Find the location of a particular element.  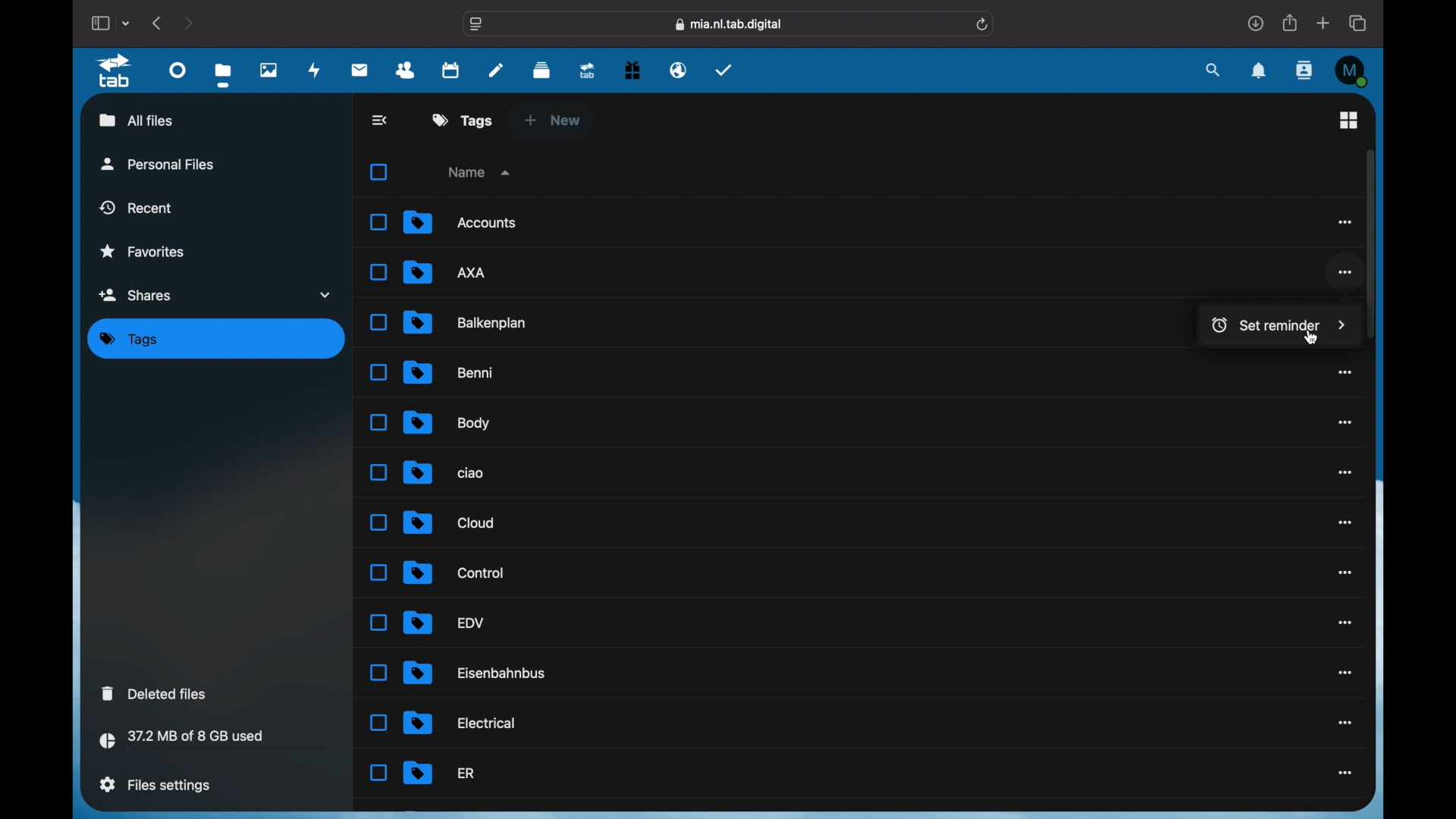

file is located at coordinates (444, 471).